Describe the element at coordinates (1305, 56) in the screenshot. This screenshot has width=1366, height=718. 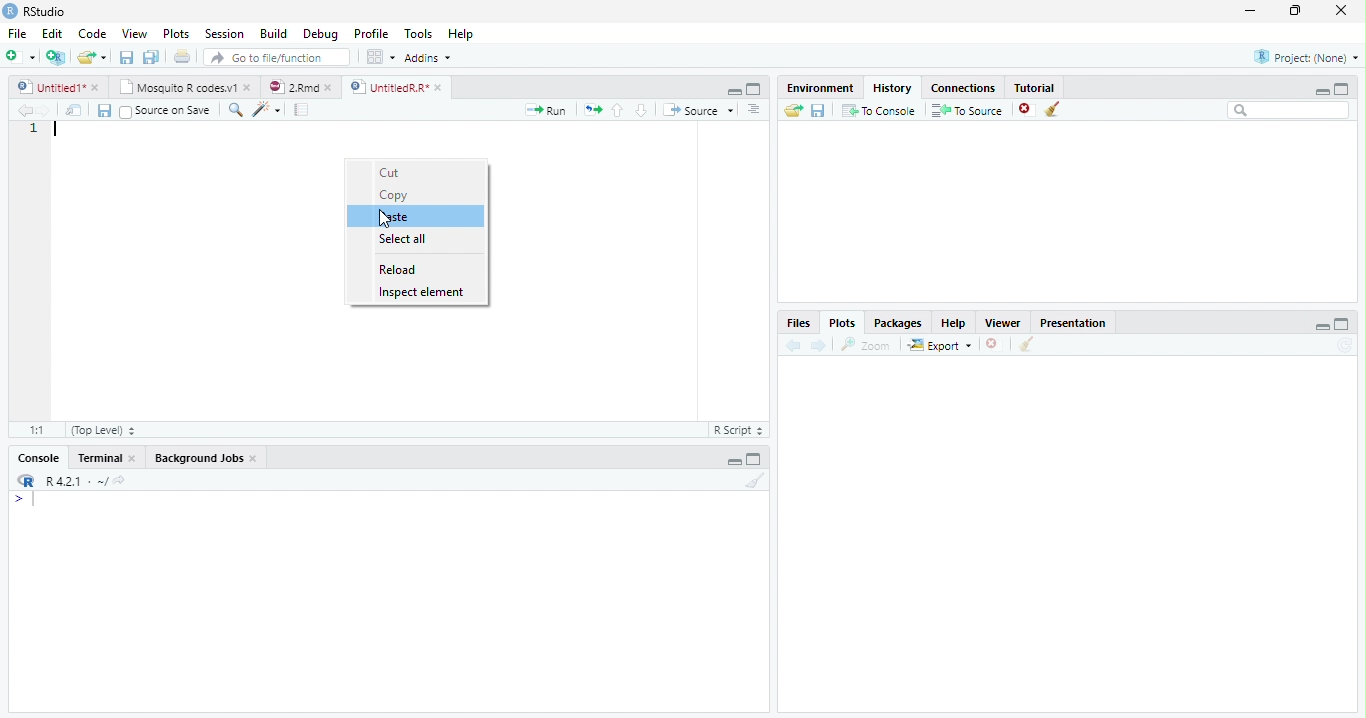
I see `Project(none)` at that location.